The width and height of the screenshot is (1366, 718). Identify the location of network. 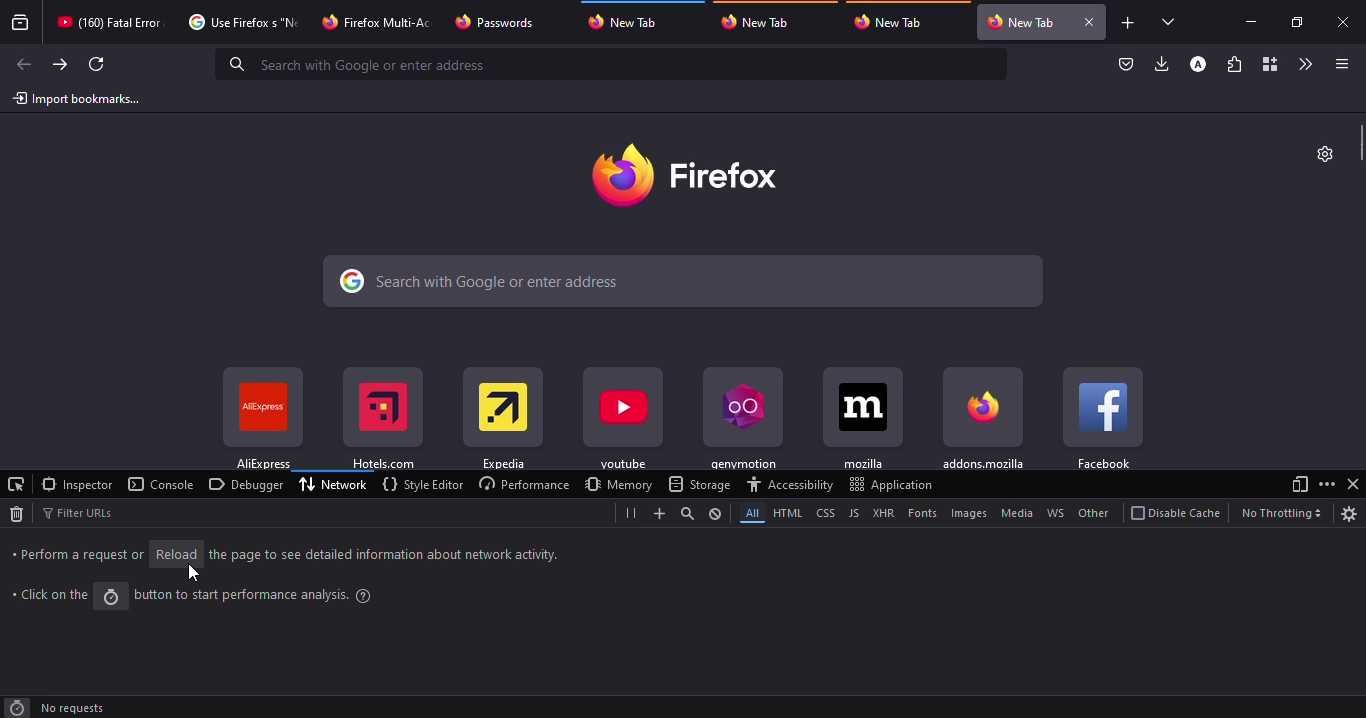
(335, 483).